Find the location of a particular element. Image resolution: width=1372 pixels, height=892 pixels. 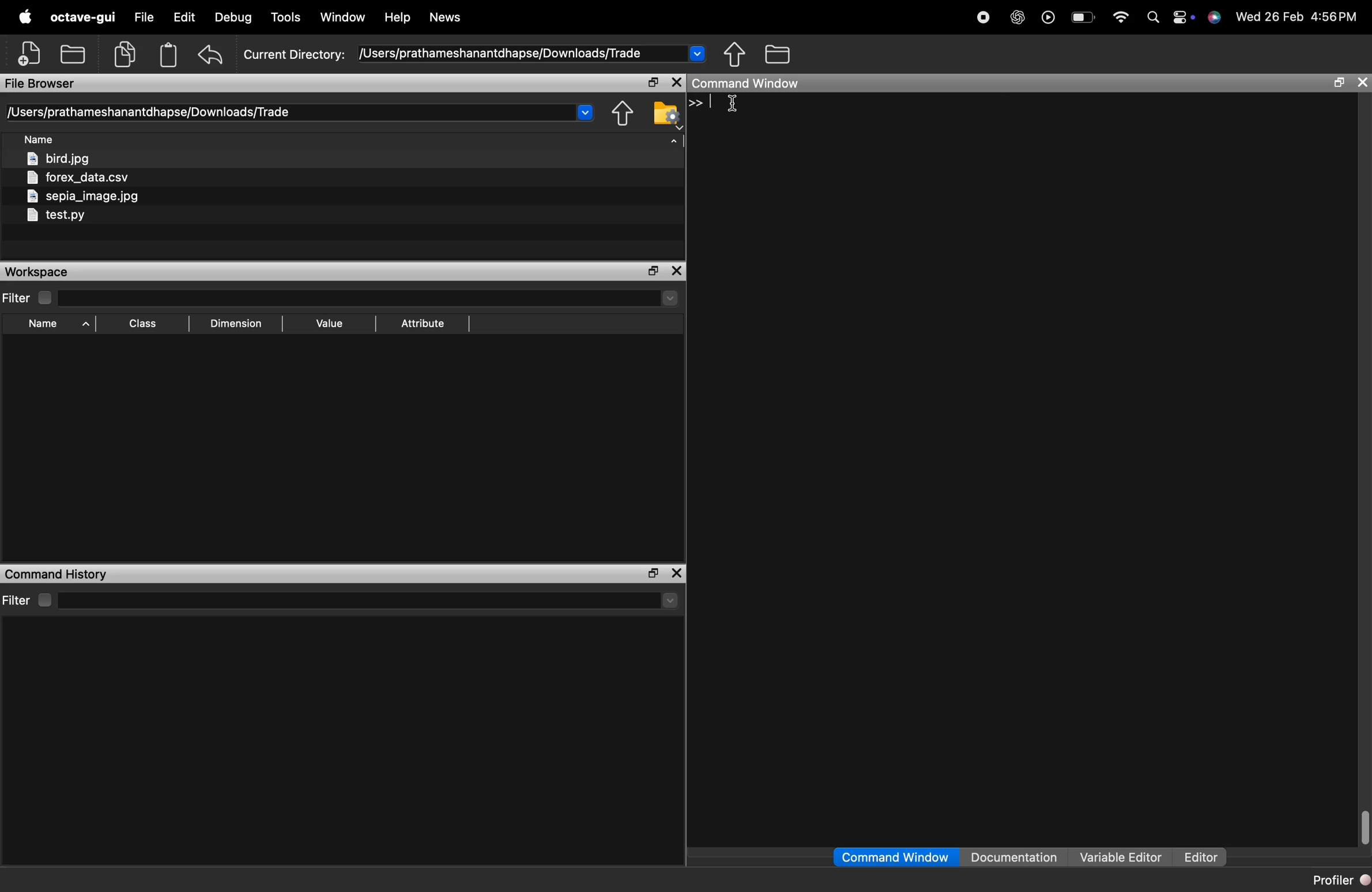

support is located at coordinates (1215, 18).